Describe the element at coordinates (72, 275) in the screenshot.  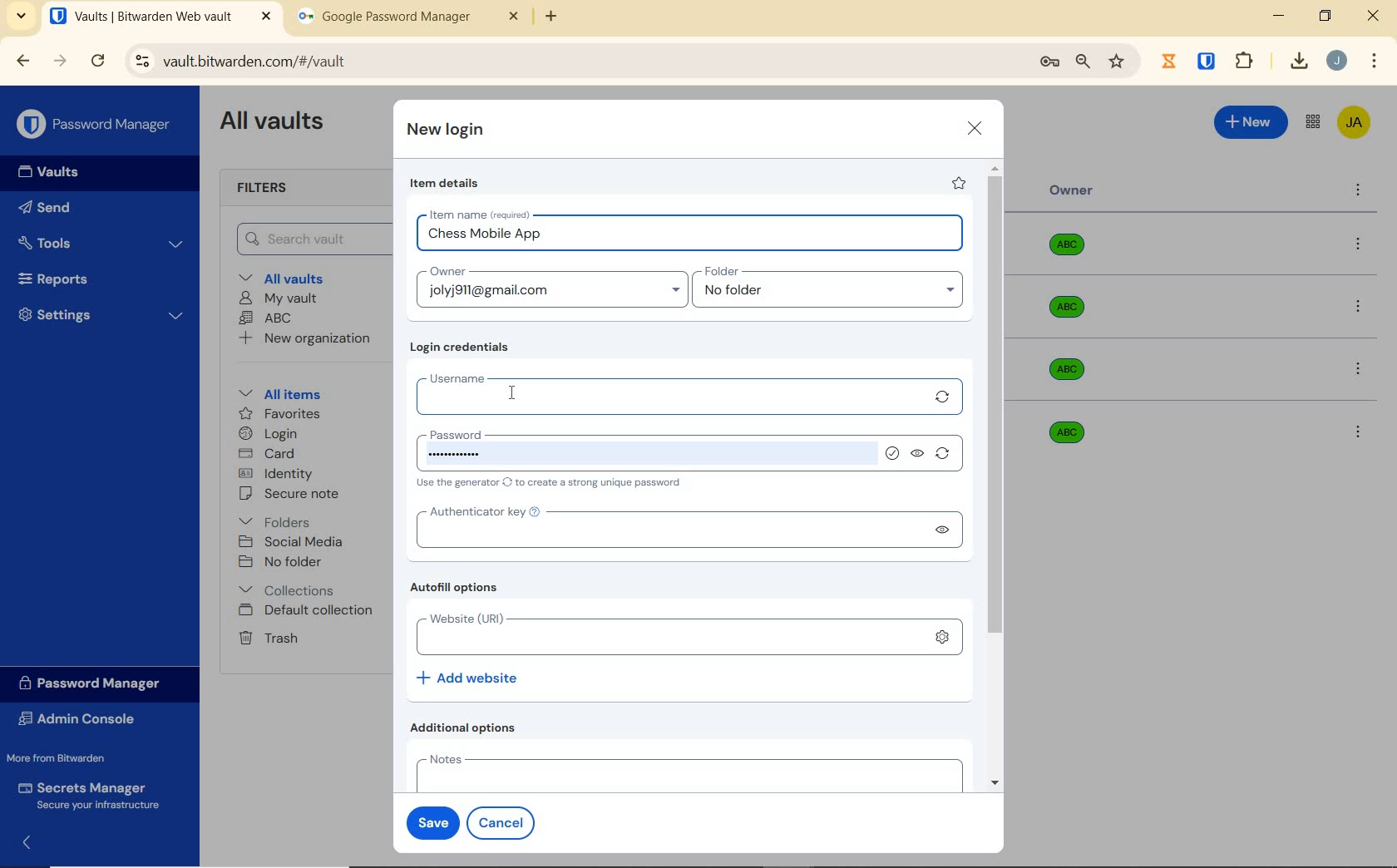
I see `Reports` at that location.